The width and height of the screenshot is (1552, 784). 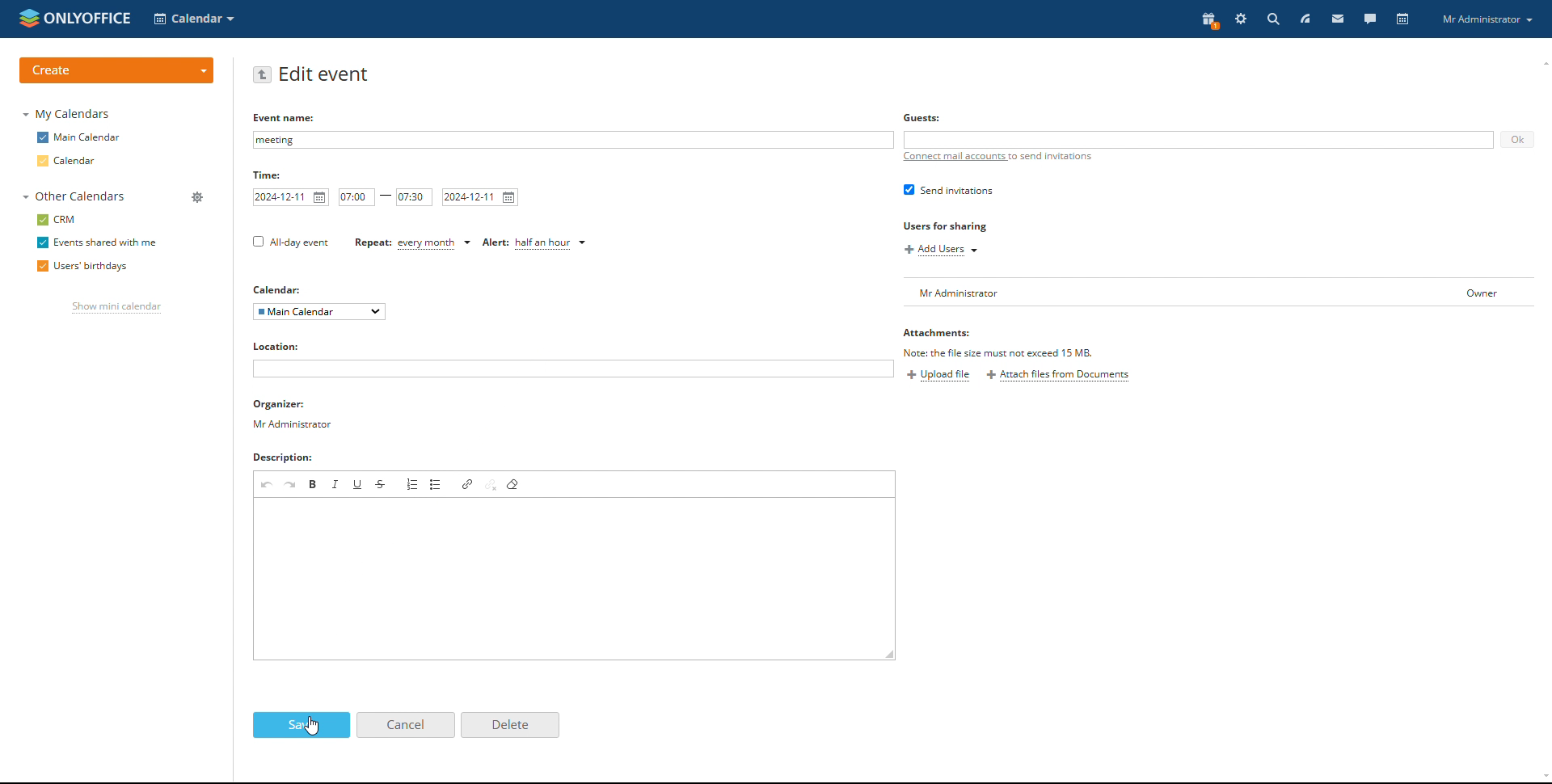 I want to click on events shared with me, so click(x=95, y=242).